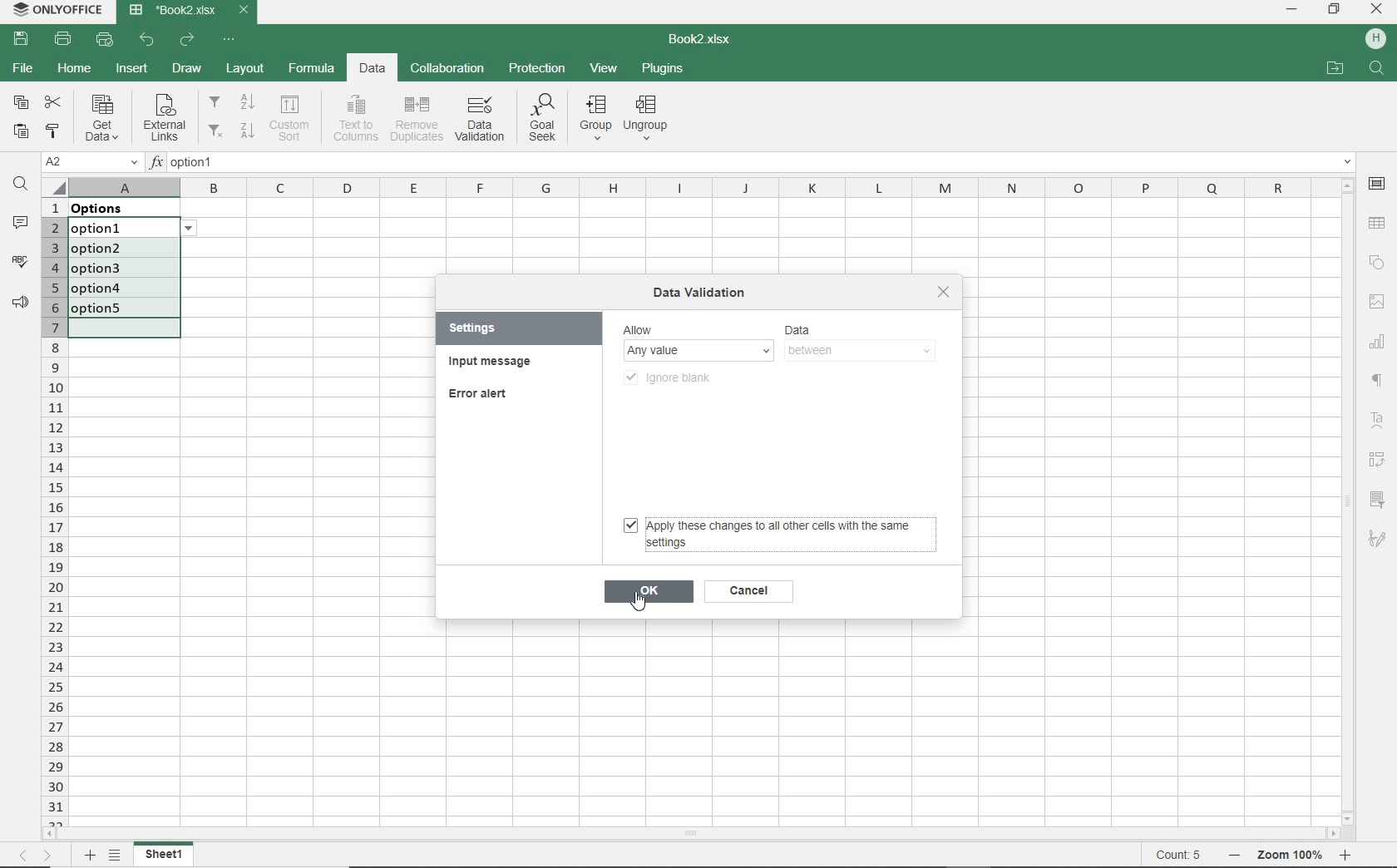  I want to click on NAME MANAGER, so click(91, 162).